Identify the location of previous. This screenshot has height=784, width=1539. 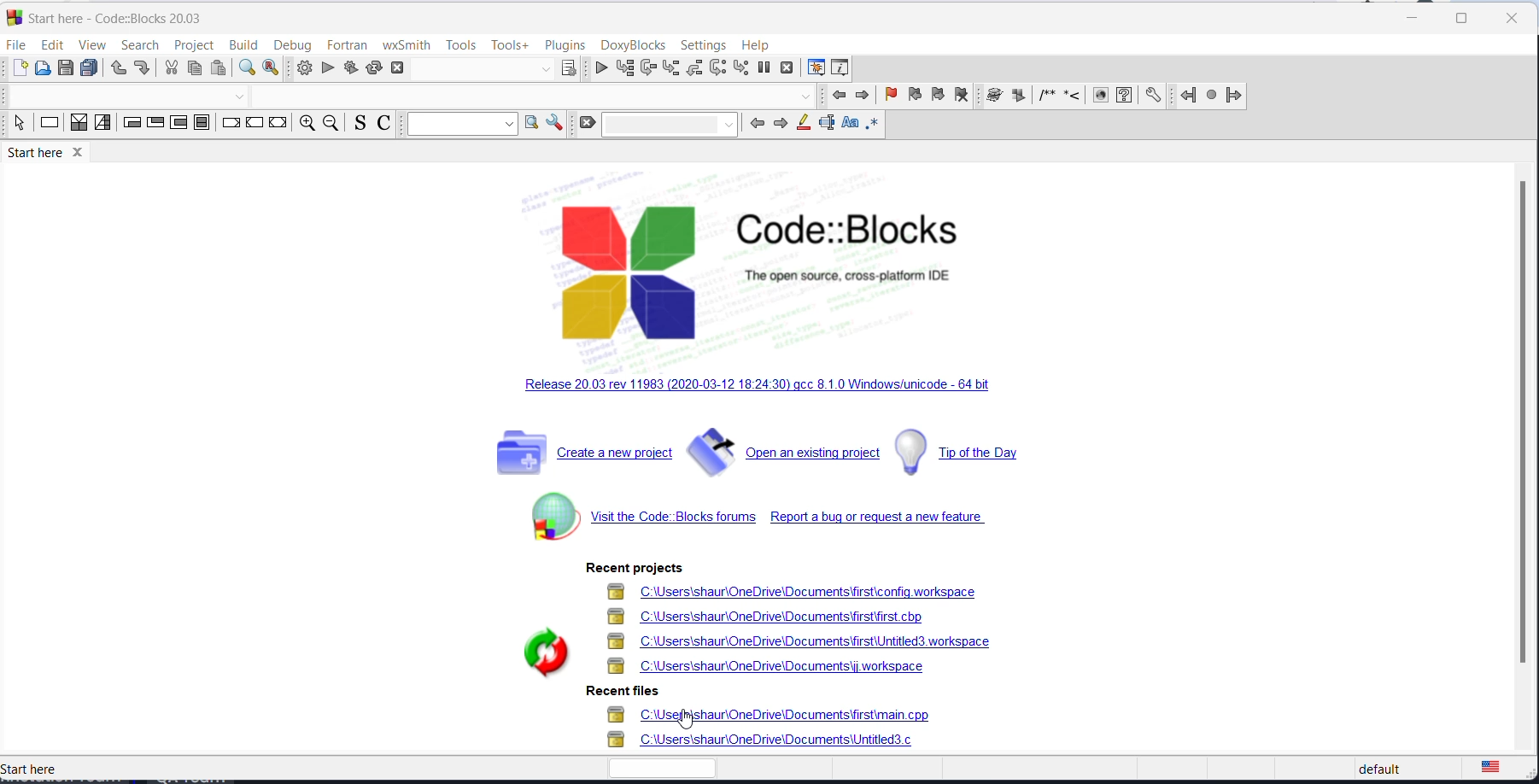
(835, 97).